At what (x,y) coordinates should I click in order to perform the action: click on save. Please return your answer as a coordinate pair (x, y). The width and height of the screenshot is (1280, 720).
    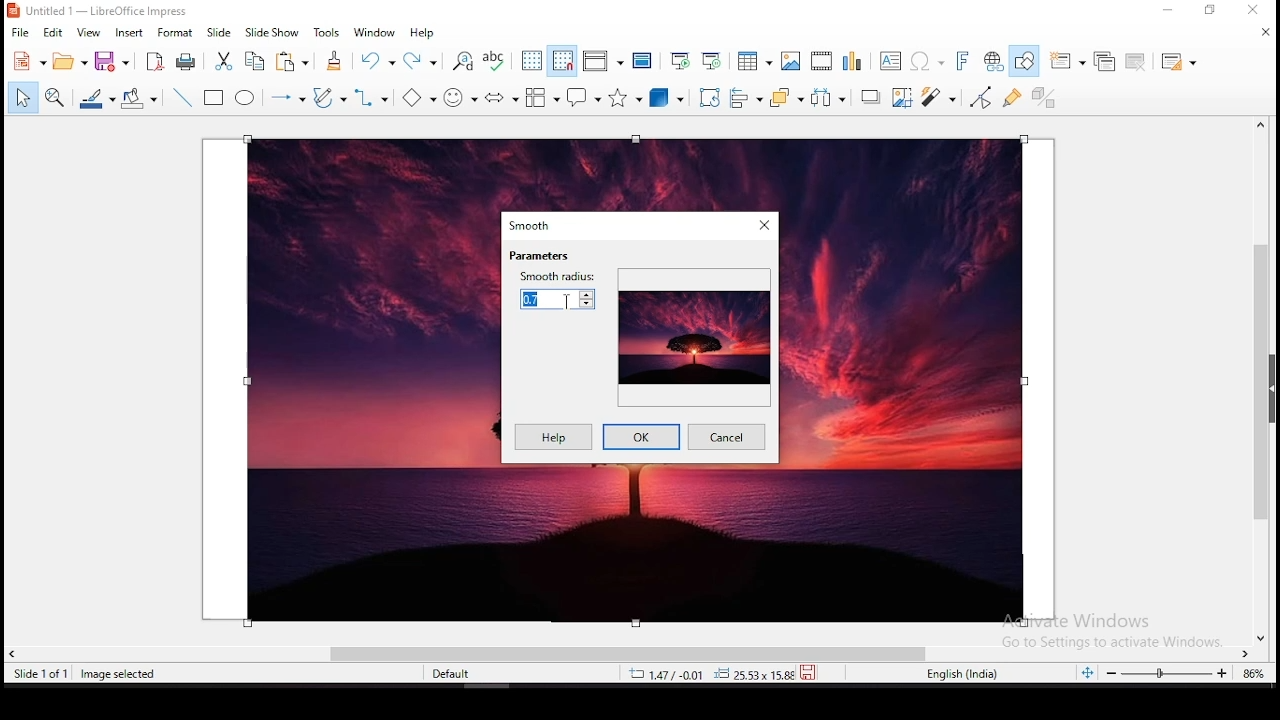
    Looking at the image, I should click on (811, 671).